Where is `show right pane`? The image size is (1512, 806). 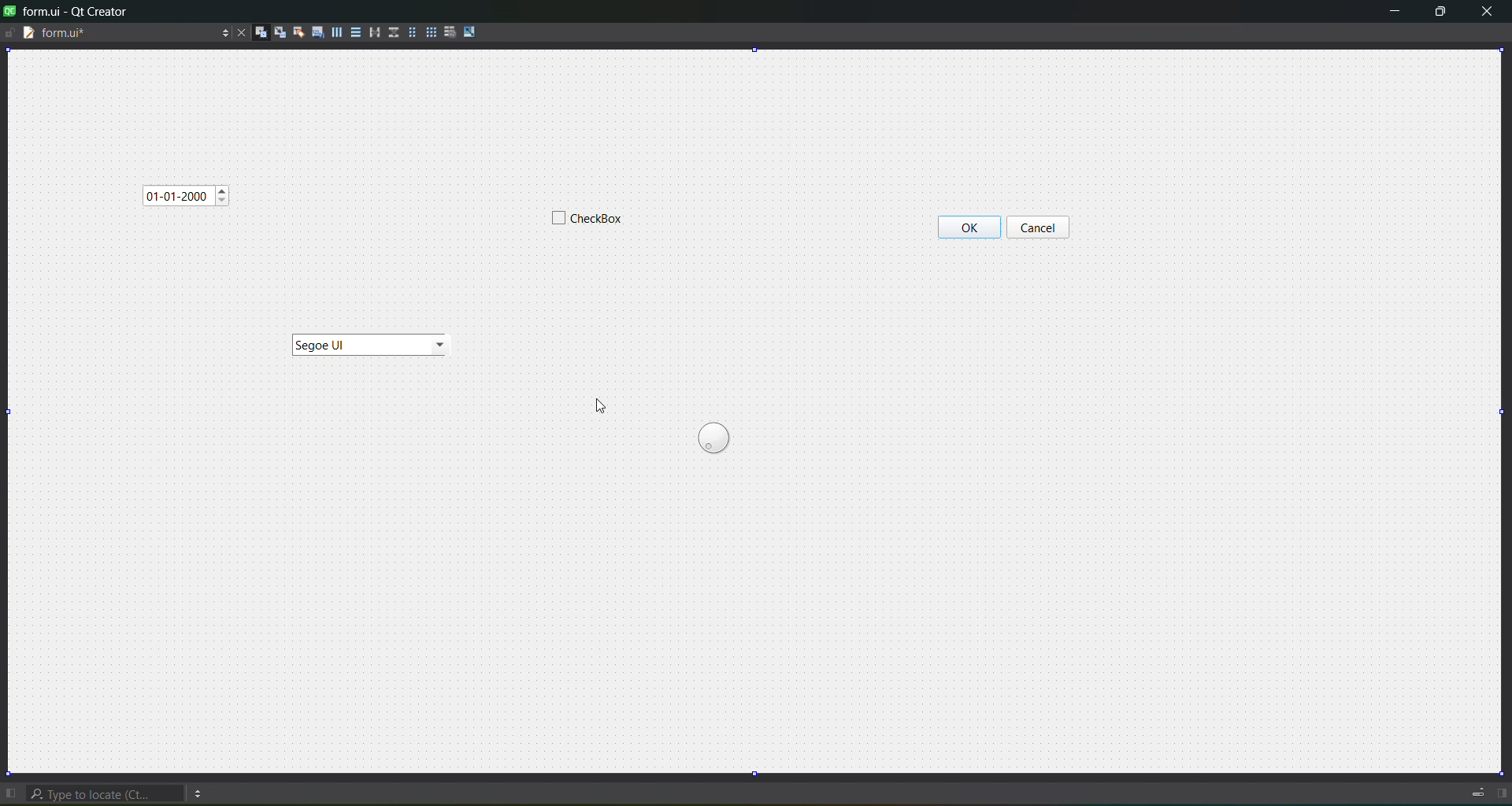
show right pane is located at coordinates (1499, 793).